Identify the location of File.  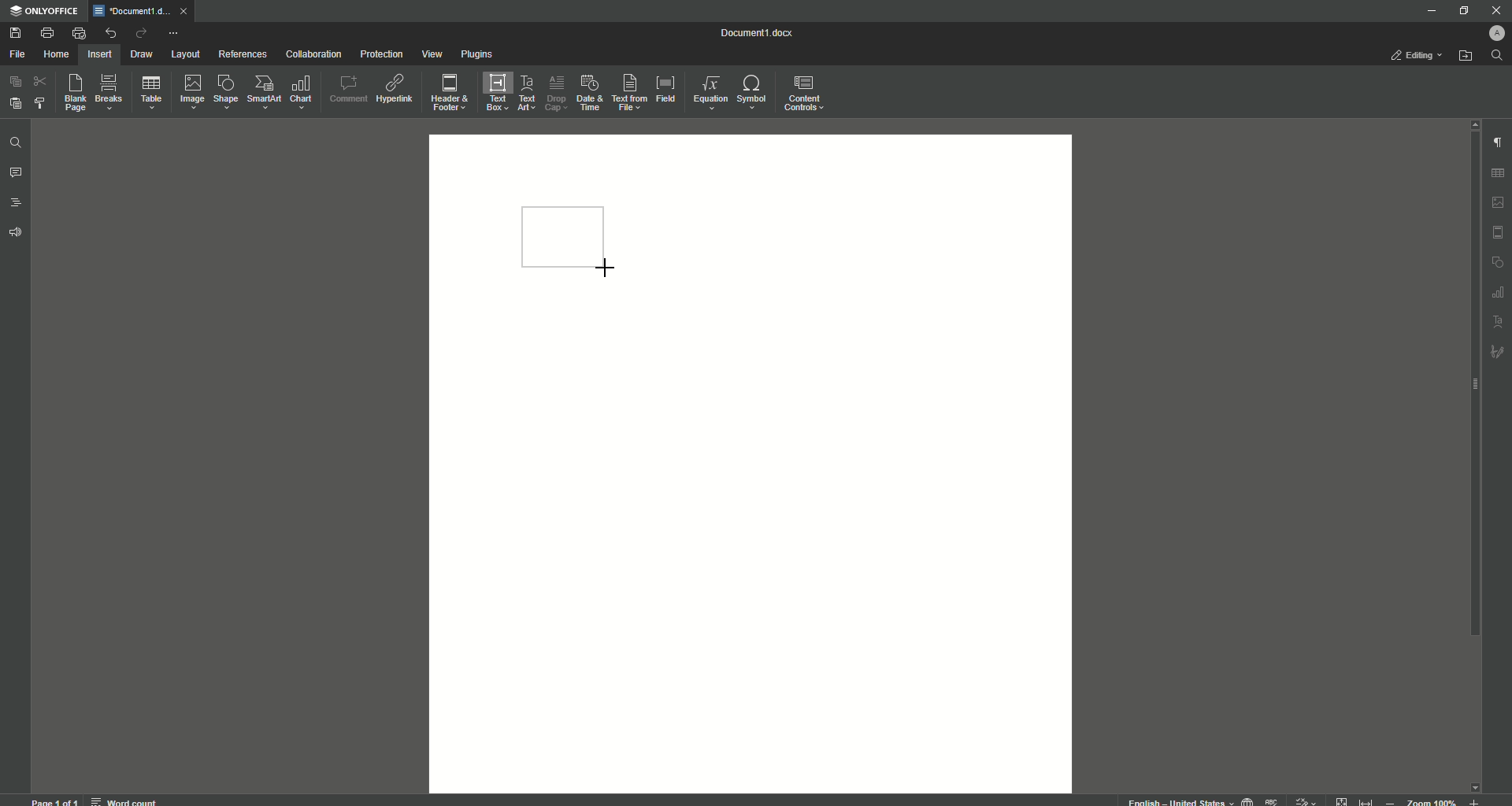
(17, 55).